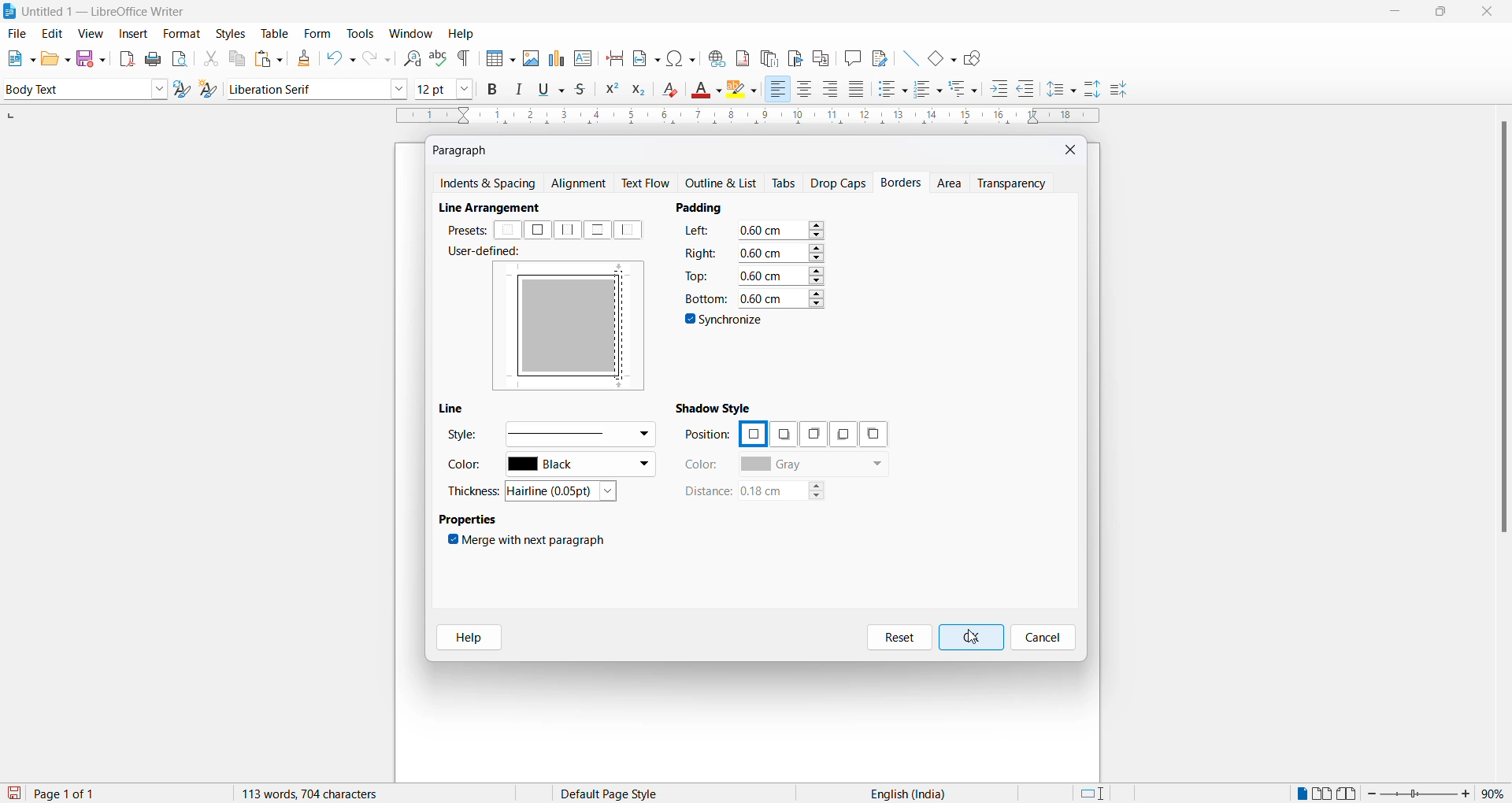 The width and height of the screenshot is (1512, 803). I want to click on value, so click(780, 252).